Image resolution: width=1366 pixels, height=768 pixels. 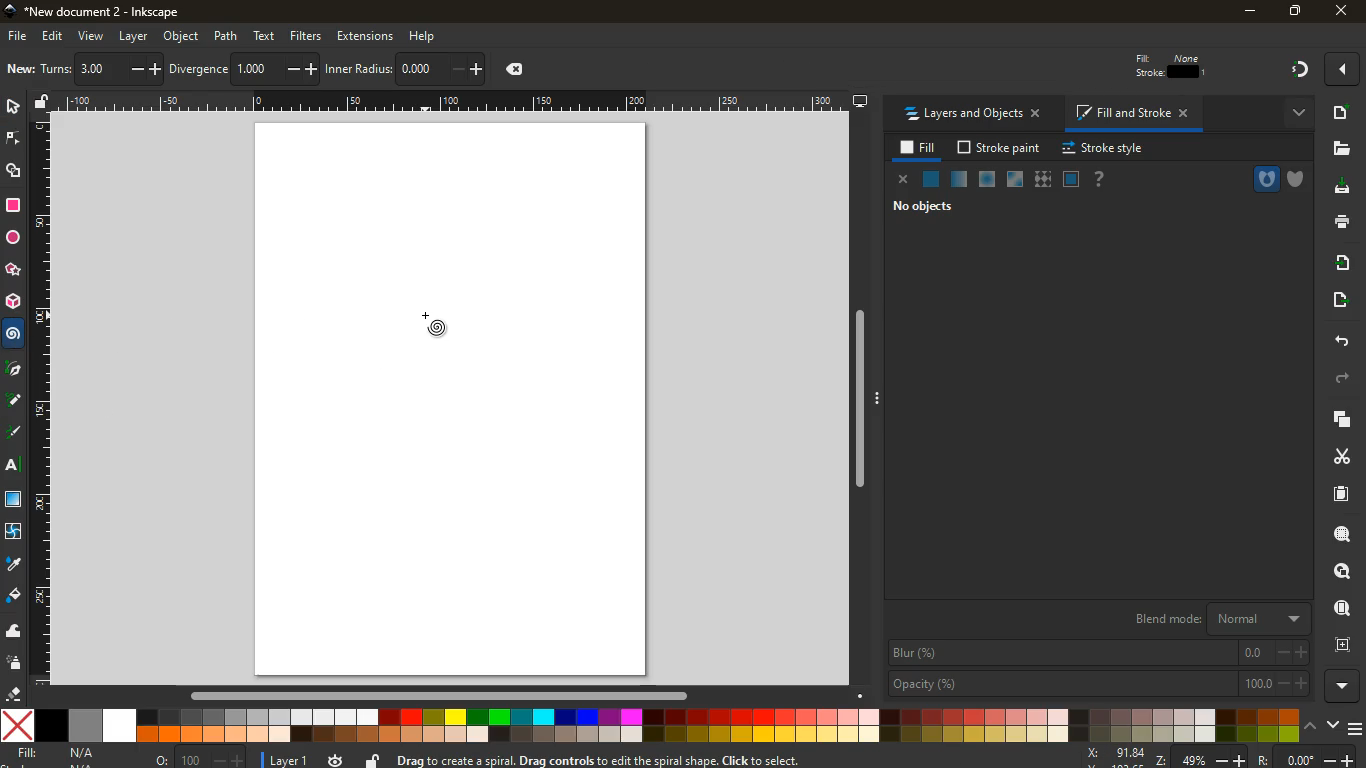 I want to click on image, so click(x=21, y=68).